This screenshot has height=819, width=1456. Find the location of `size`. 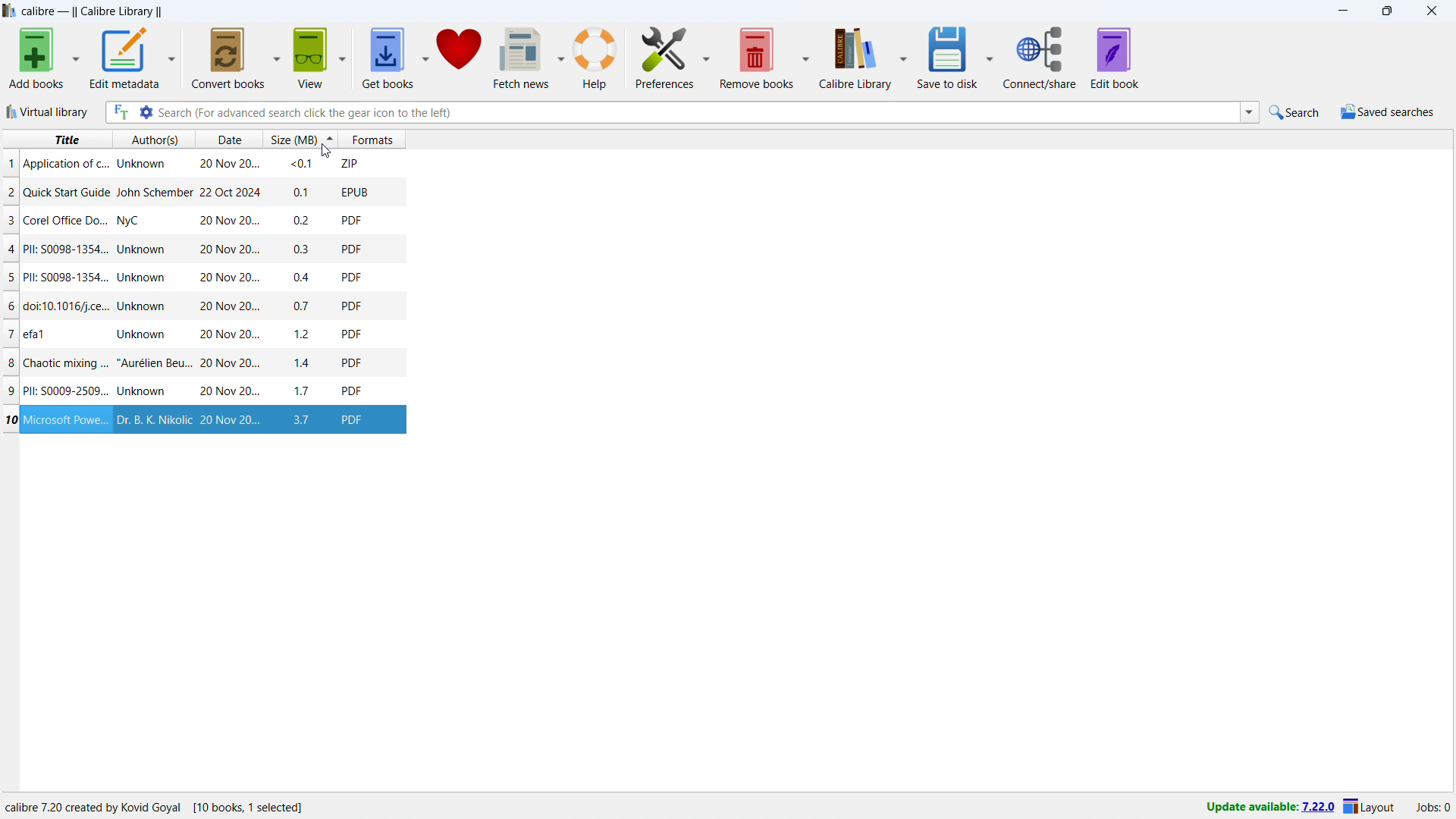

size is located at coordinates (300, 190).